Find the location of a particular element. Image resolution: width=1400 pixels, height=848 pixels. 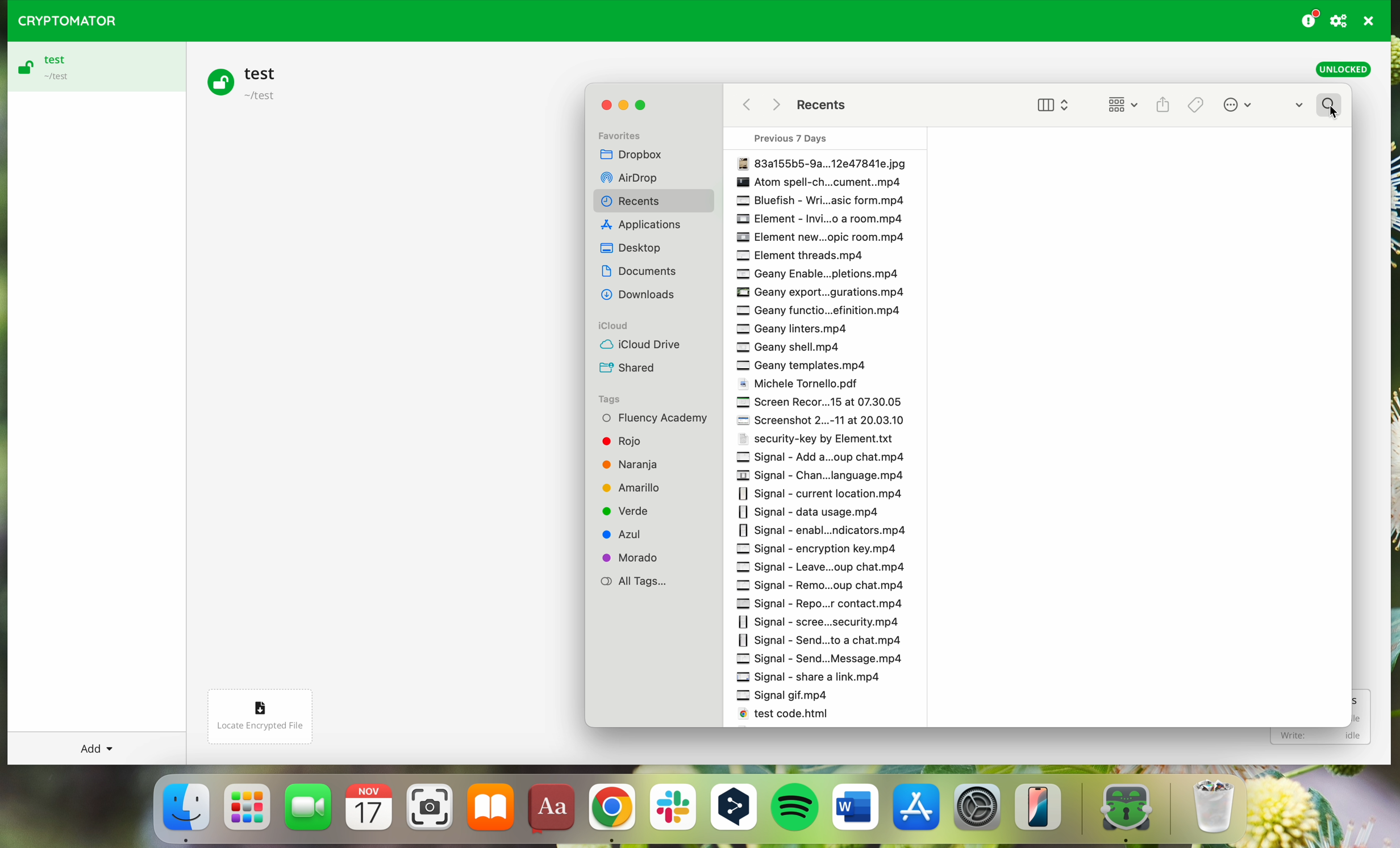

signal add is located at coordinates (829, 458).